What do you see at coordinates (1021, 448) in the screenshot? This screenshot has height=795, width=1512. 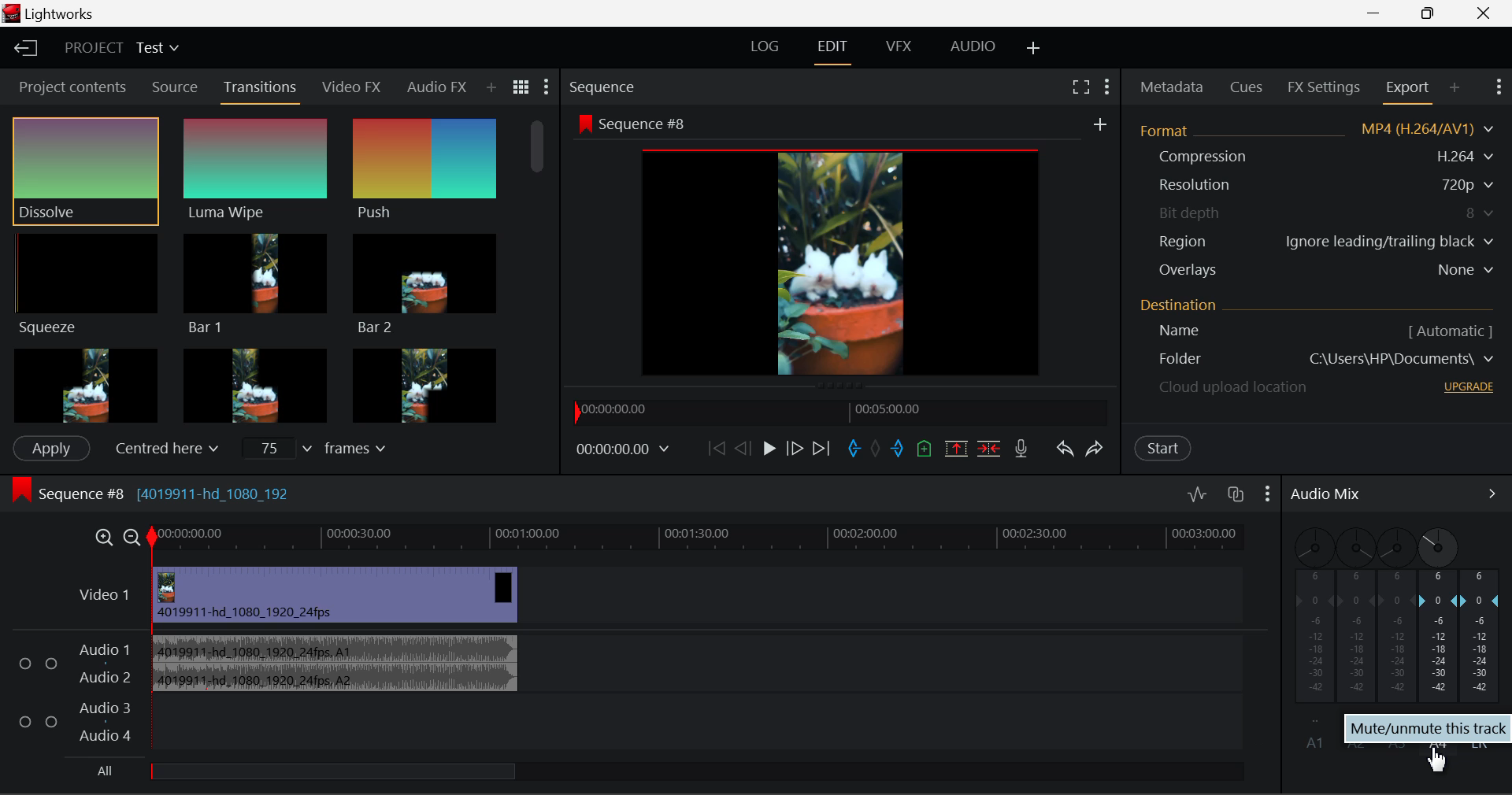 I see `Record Voiceover` at bounding box center [1021, 448].